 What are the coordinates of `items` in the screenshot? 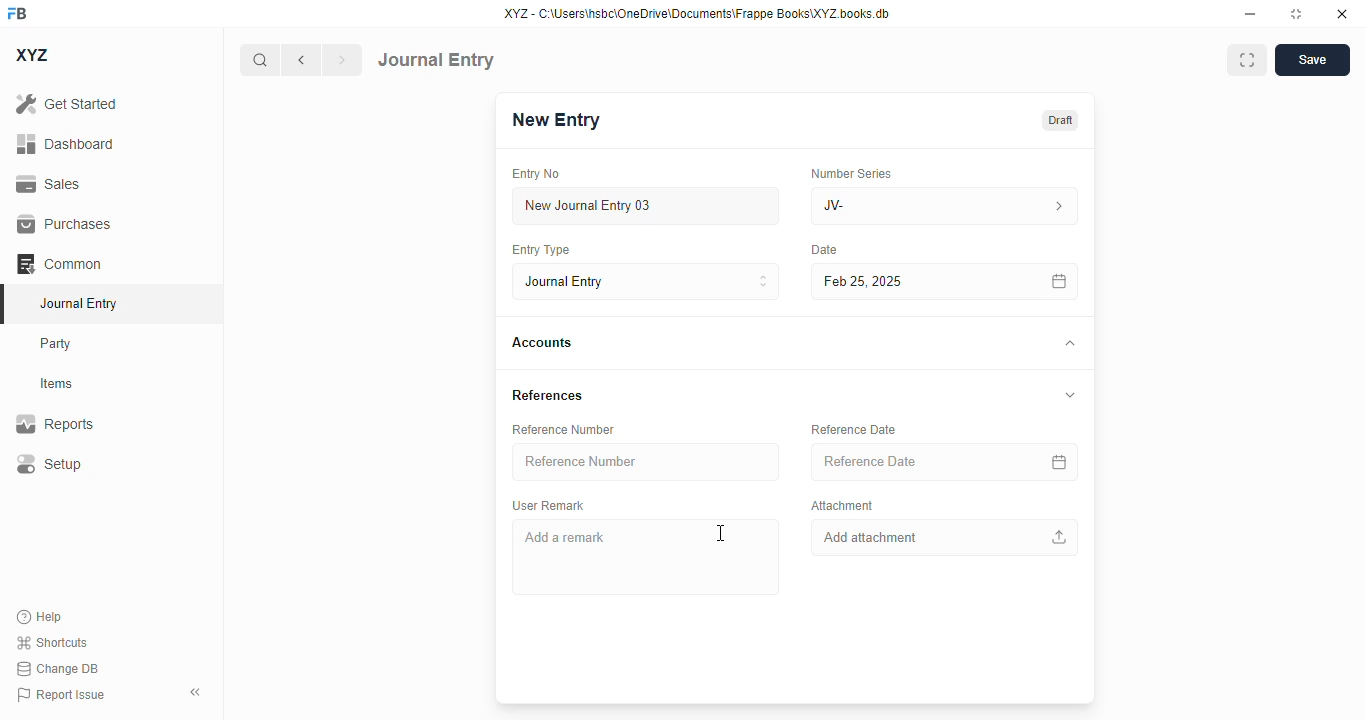 It's located at (57, 384).